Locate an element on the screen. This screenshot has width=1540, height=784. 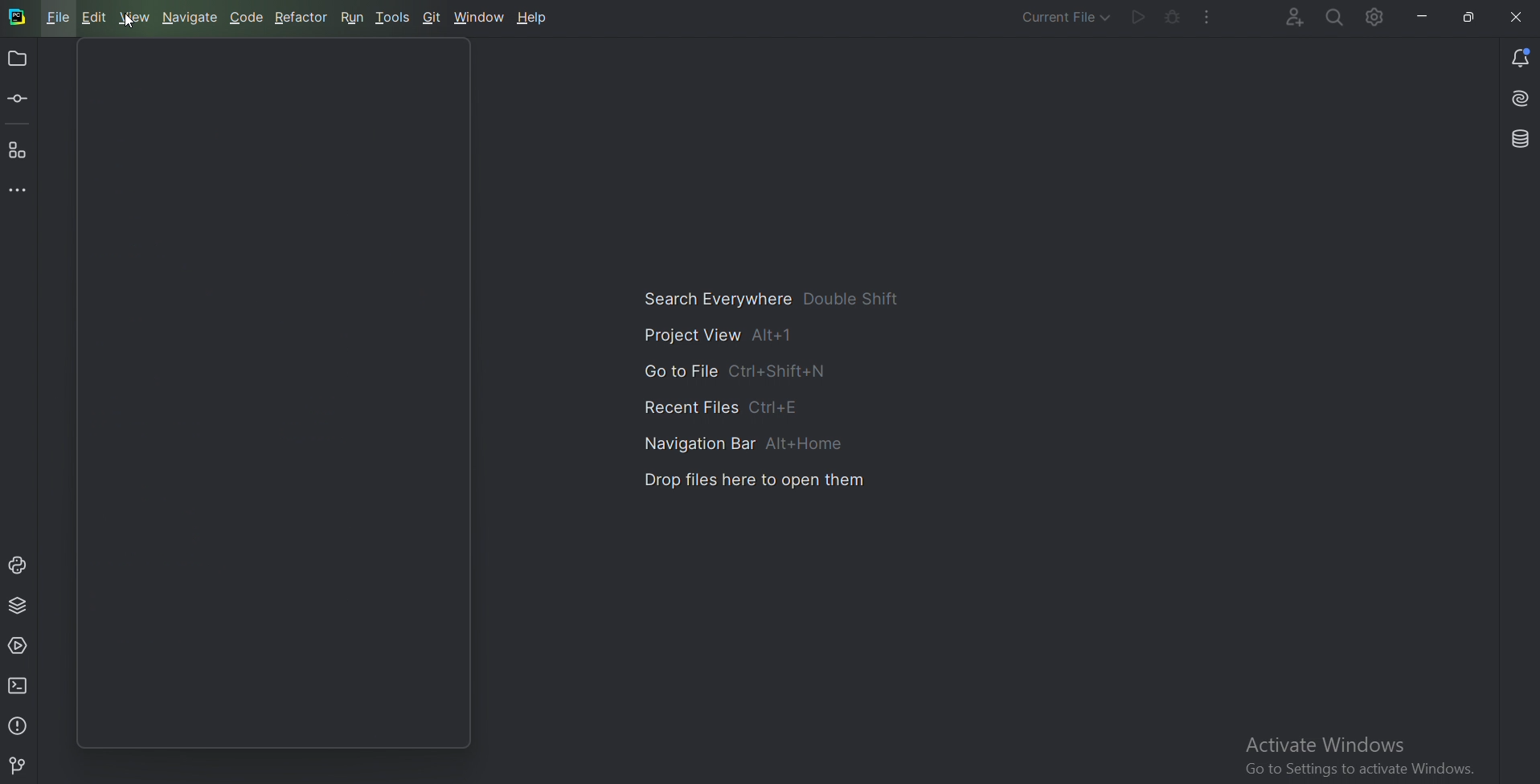
Install AI assistant is located at coordinates (1517, 99).